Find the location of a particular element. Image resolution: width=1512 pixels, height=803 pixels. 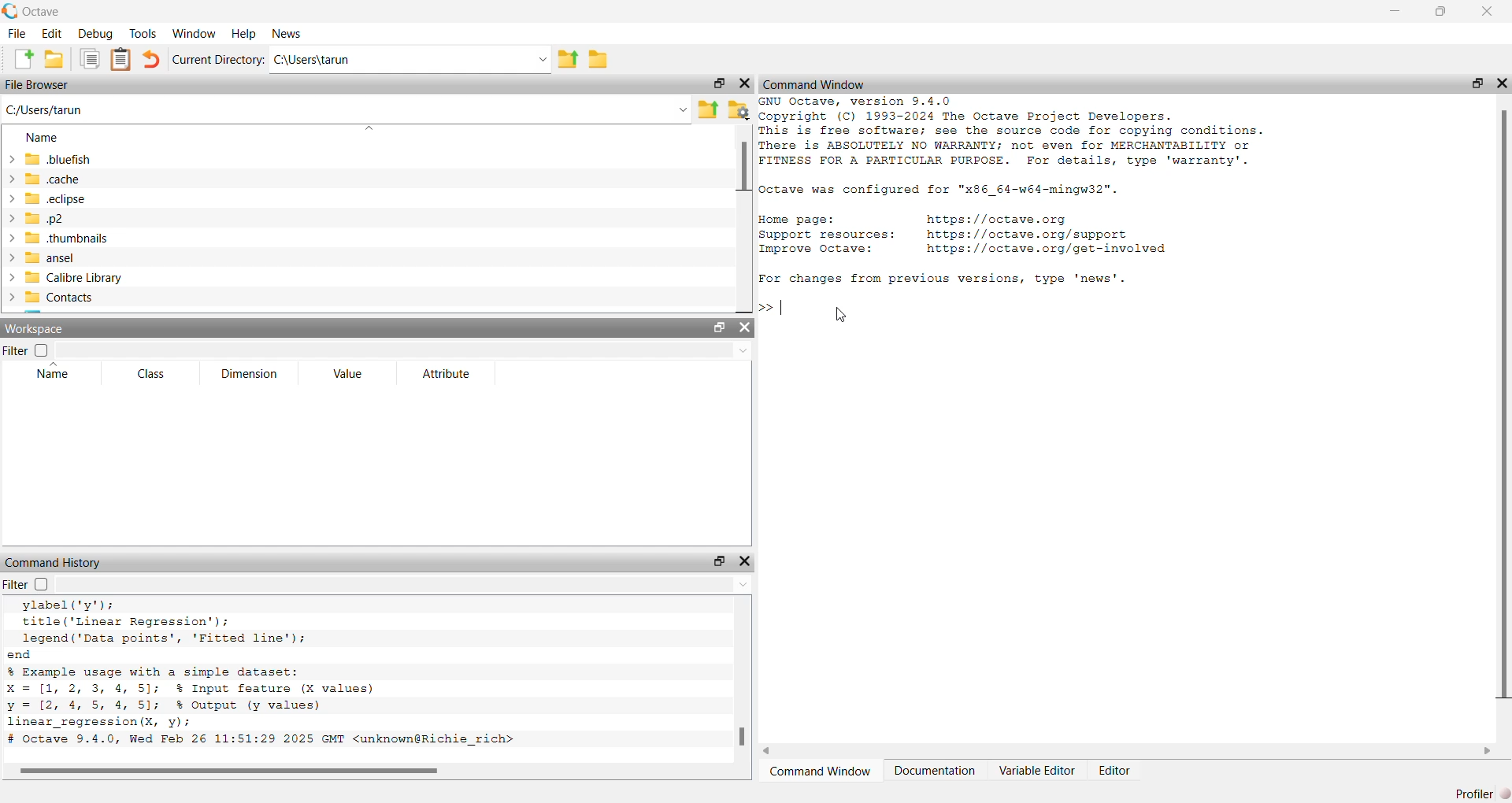

dimension is located at coordinates (248, 375).